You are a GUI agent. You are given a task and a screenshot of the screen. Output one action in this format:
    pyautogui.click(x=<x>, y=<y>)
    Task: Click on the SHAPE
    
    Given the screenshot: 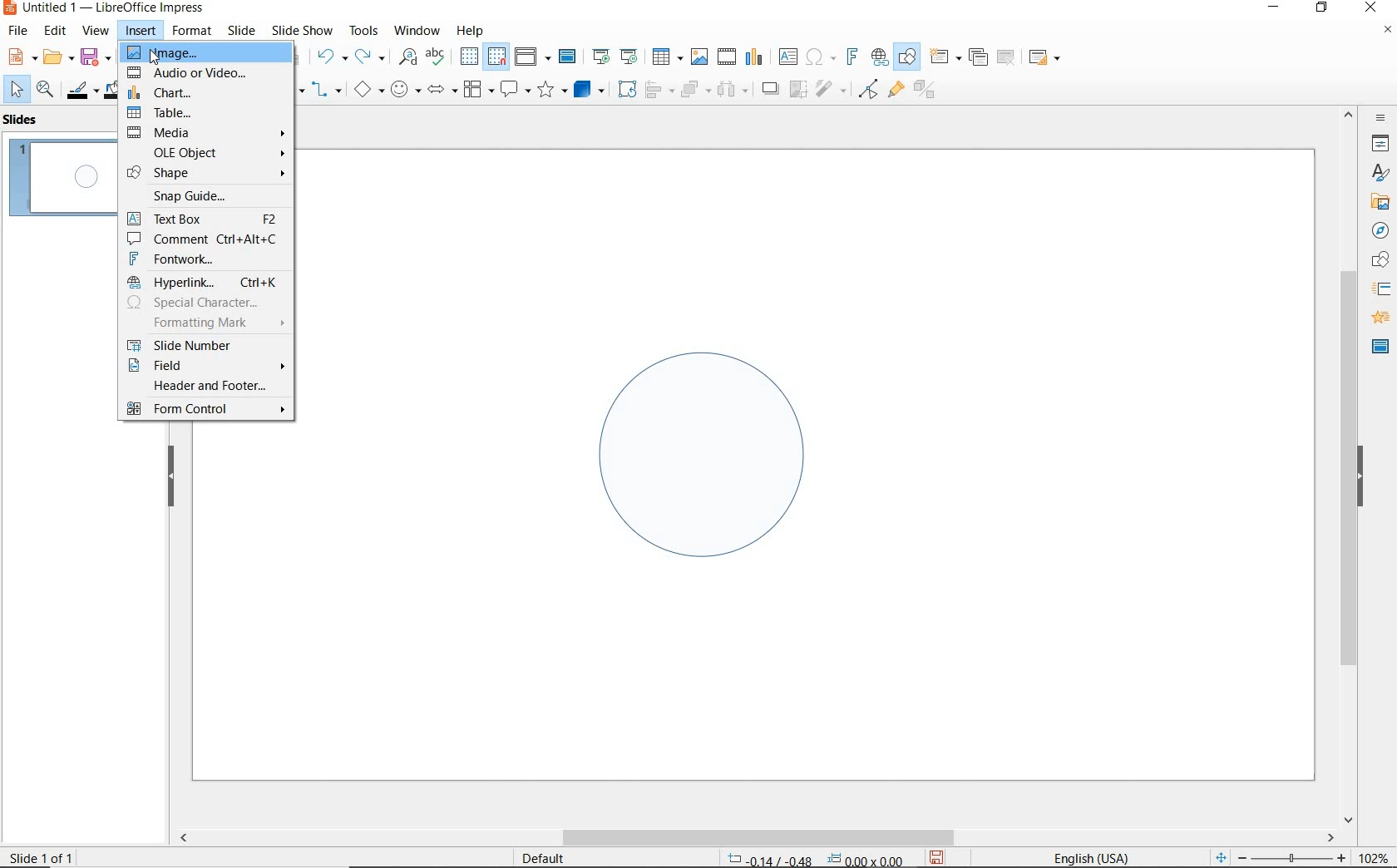 What is the action you would take?
    pyautogui.click(x=208, y=172)
    